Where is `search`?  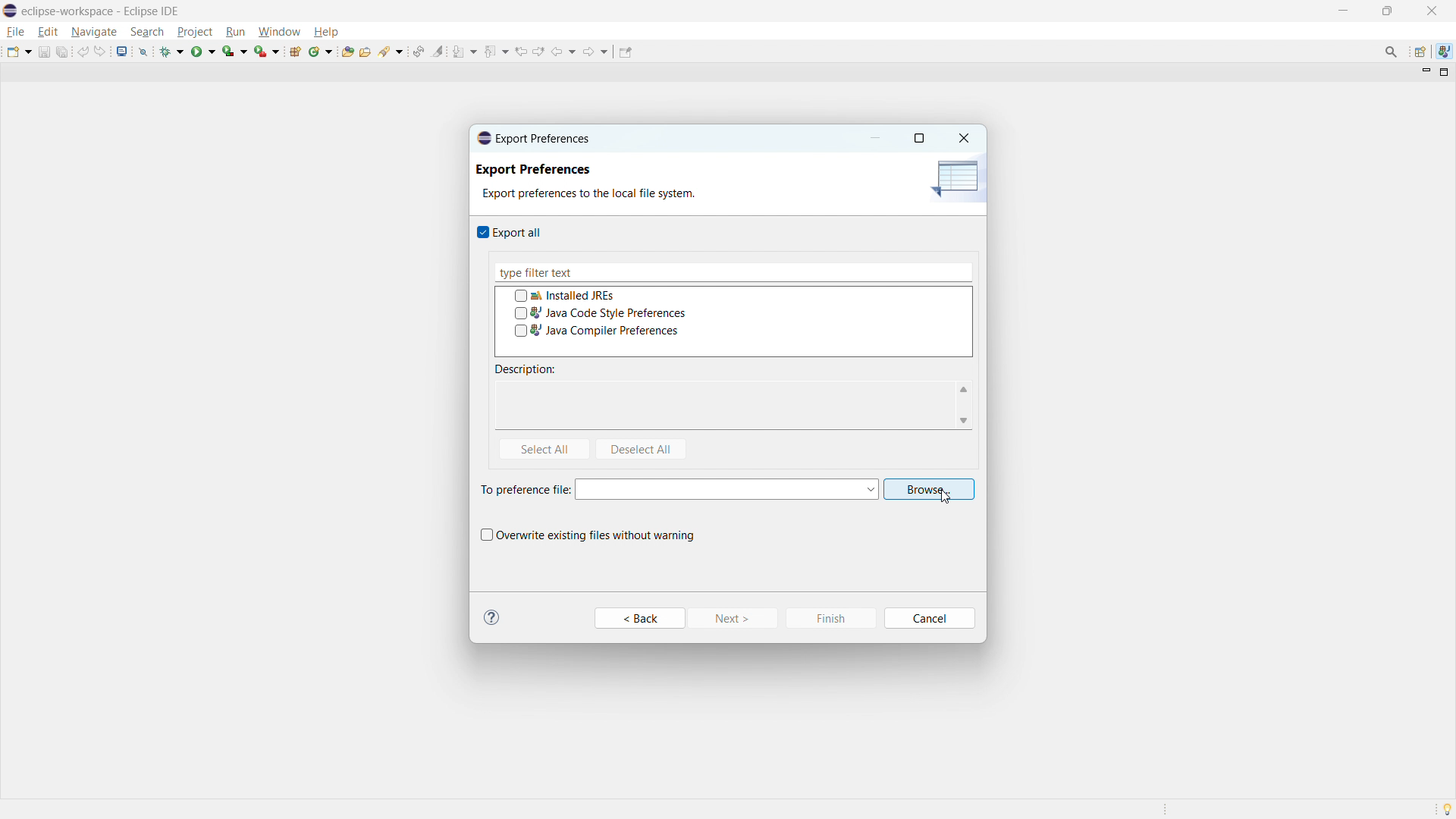 search is located at coordinates (147, 32).